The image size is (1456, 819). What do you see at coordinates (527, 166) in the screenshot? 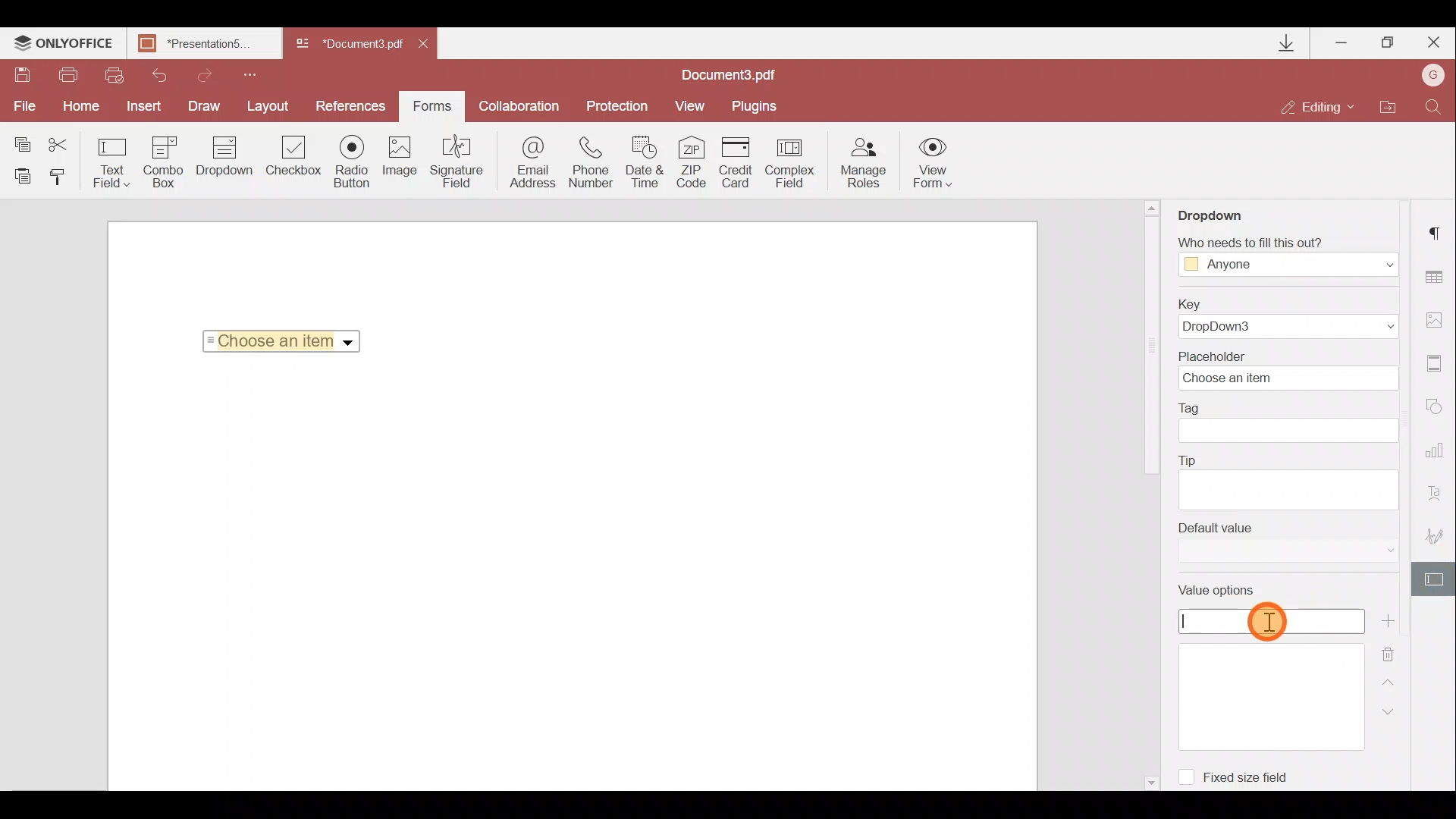
I see `Email address` at bounding box center [527, 166].